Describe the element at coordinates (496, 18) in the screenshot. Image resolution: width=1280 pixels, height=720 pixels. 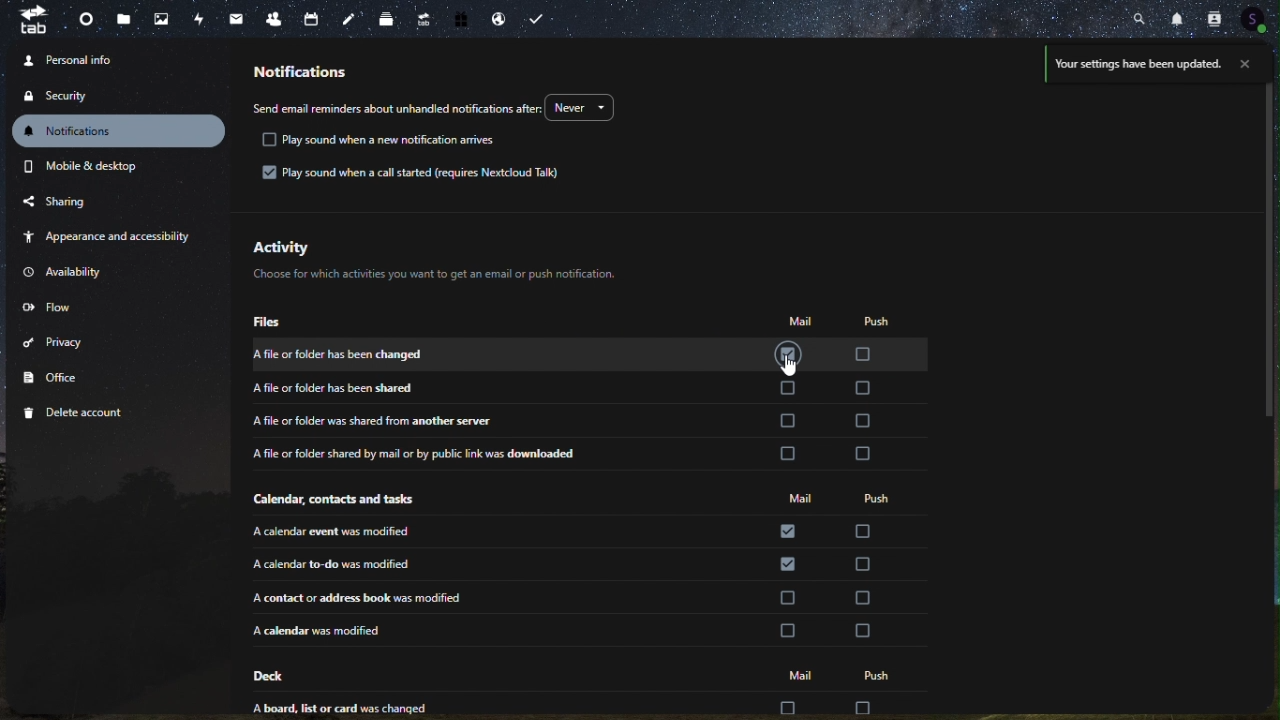
I see `email hosting` at that location.